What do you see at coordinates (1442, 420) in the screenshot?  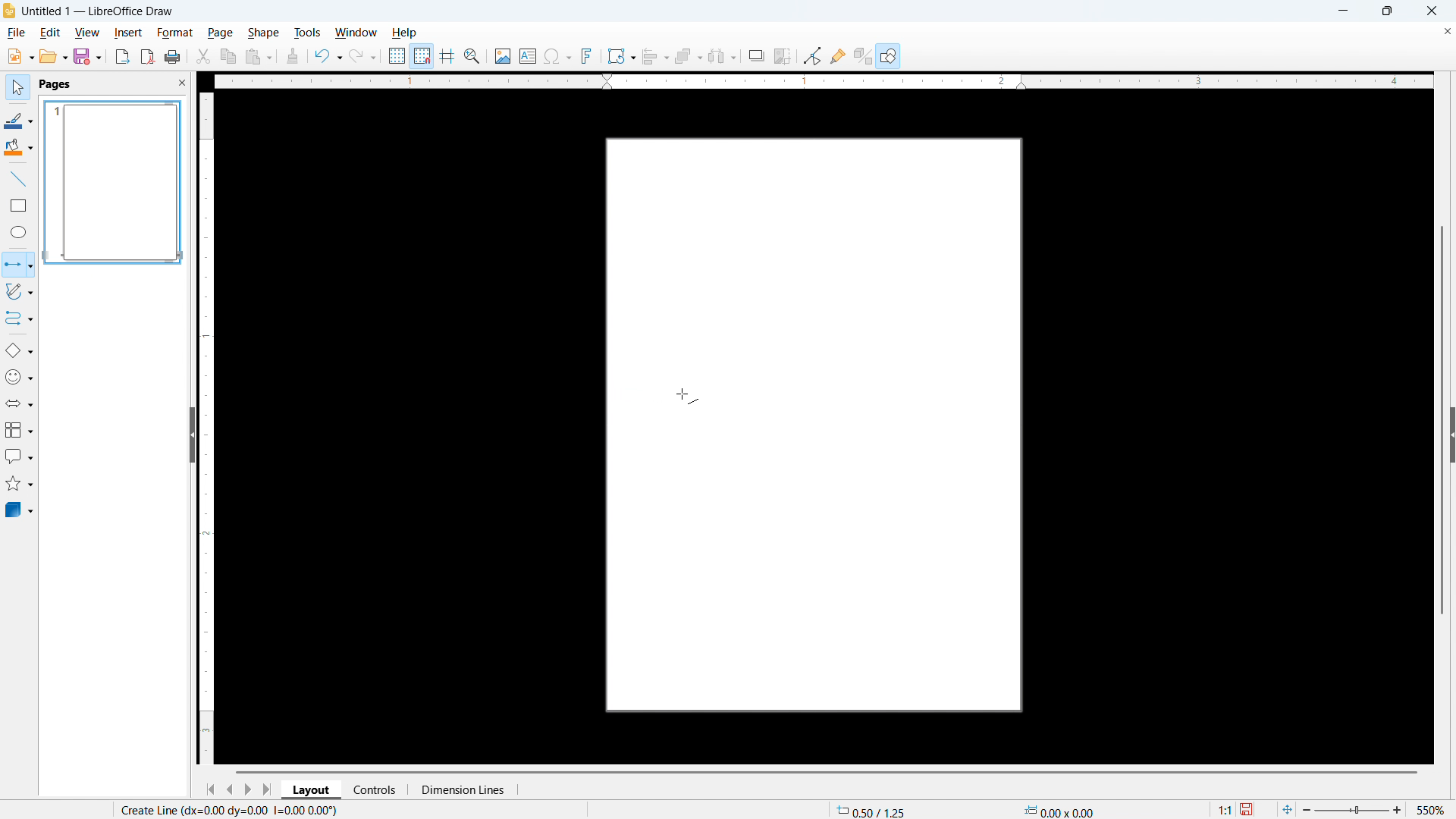 I see `Vertical scroll bar ` at bounding box center [1442, 420].